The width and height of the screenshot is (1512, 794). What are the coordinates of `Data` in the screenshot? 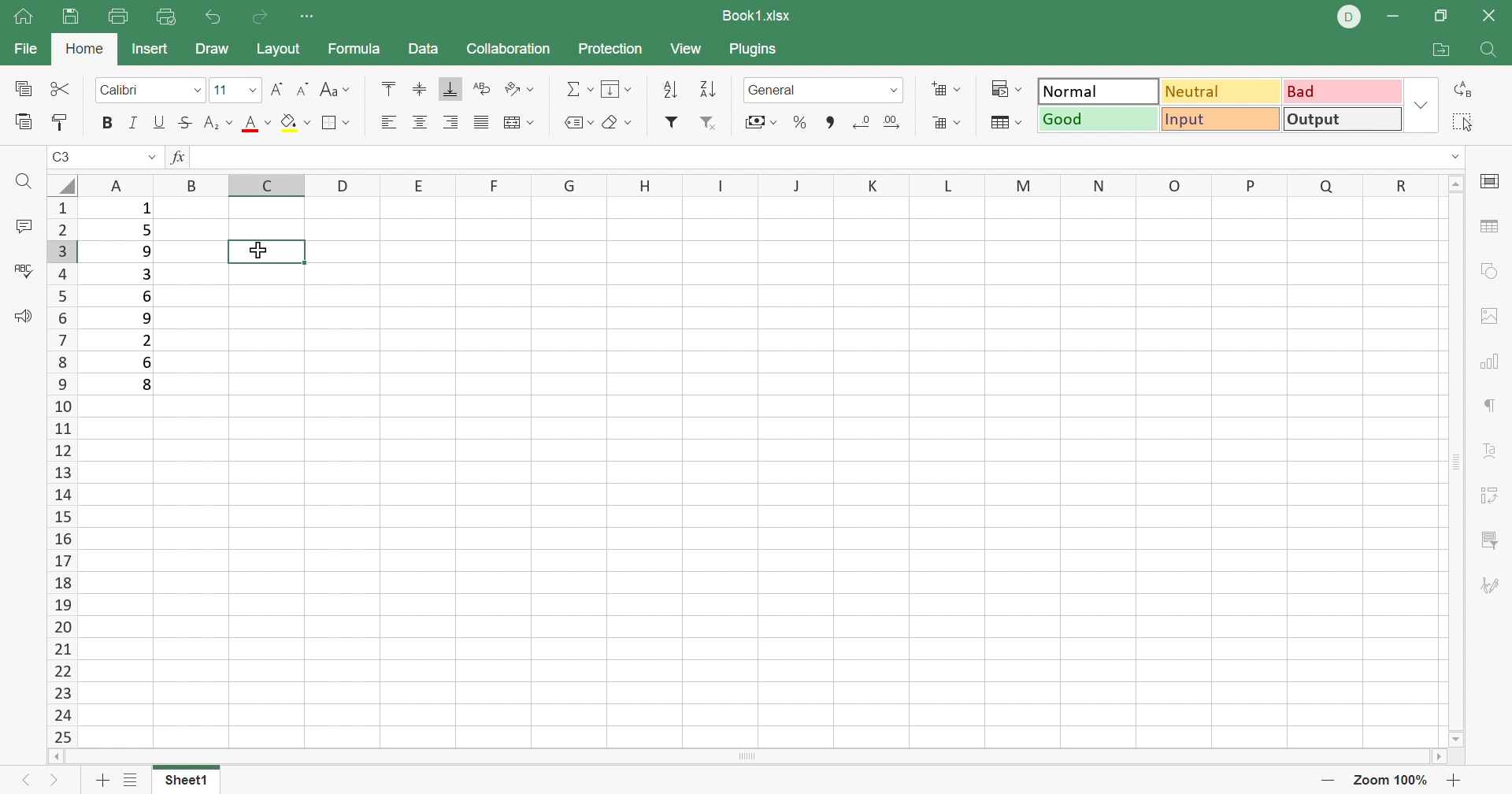 It's located at (422, 46).